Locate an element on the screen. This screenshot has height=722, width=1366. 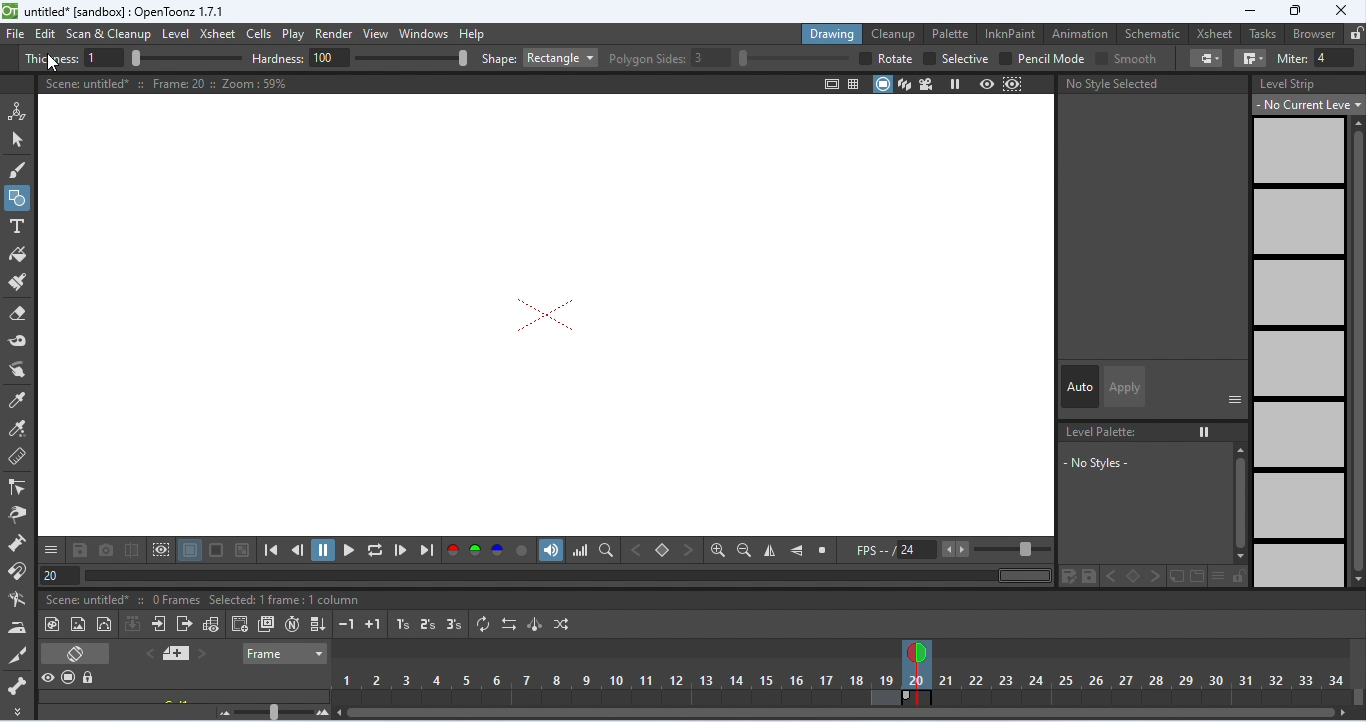
maximize is located at coordinates (1296, 11).